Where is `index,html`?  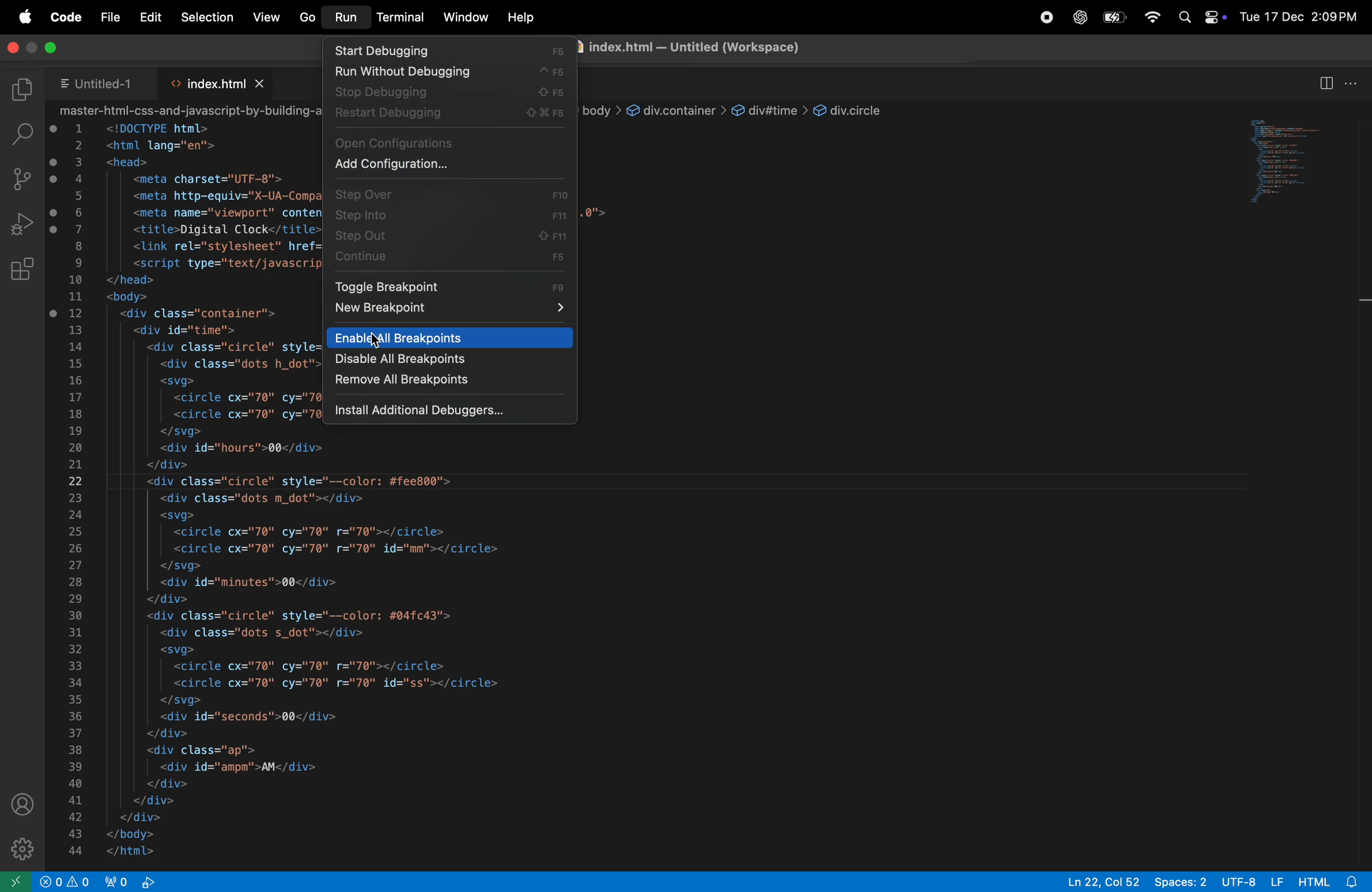
index,html is located at coordinates (205, 82).